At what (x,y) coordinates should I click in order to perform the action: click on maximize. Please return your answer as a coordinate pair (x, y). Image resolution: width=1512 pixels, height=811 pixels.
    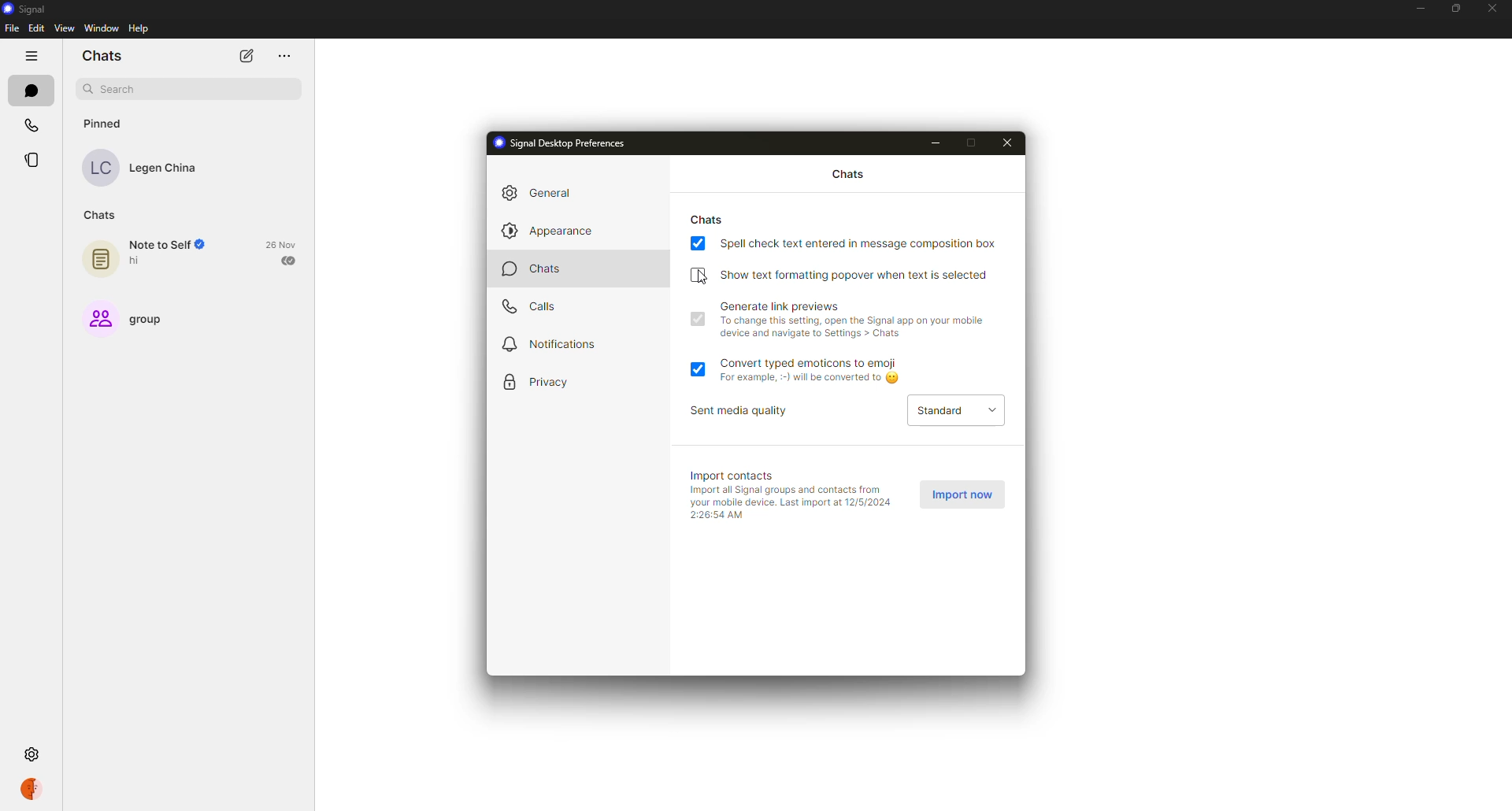
    Looking at the image, I should click on (974, 143).